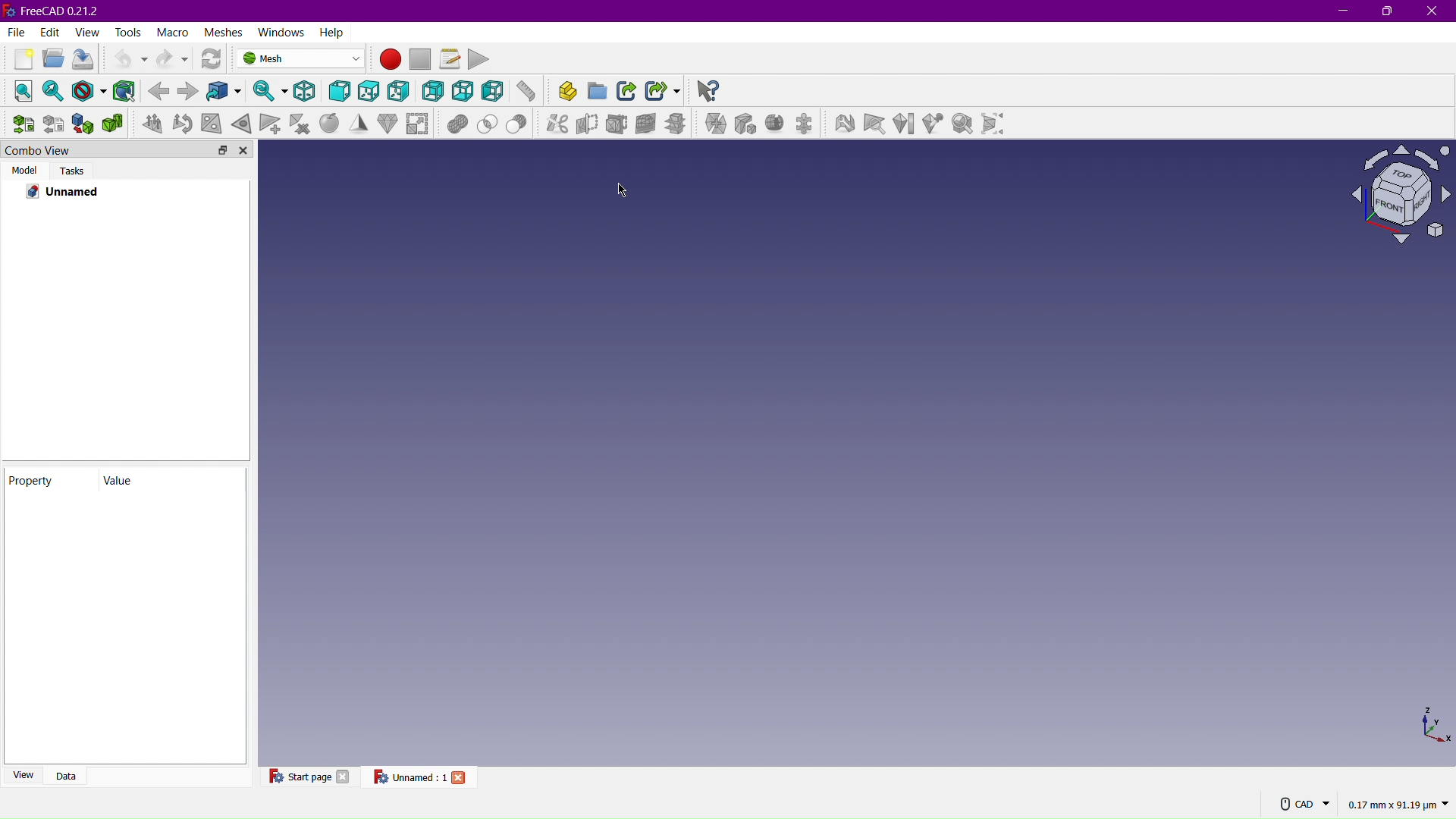  What do you see at coordinates (112, 123) in the screenshot?
I see `Regular solid` at bounding box center [112, 123].